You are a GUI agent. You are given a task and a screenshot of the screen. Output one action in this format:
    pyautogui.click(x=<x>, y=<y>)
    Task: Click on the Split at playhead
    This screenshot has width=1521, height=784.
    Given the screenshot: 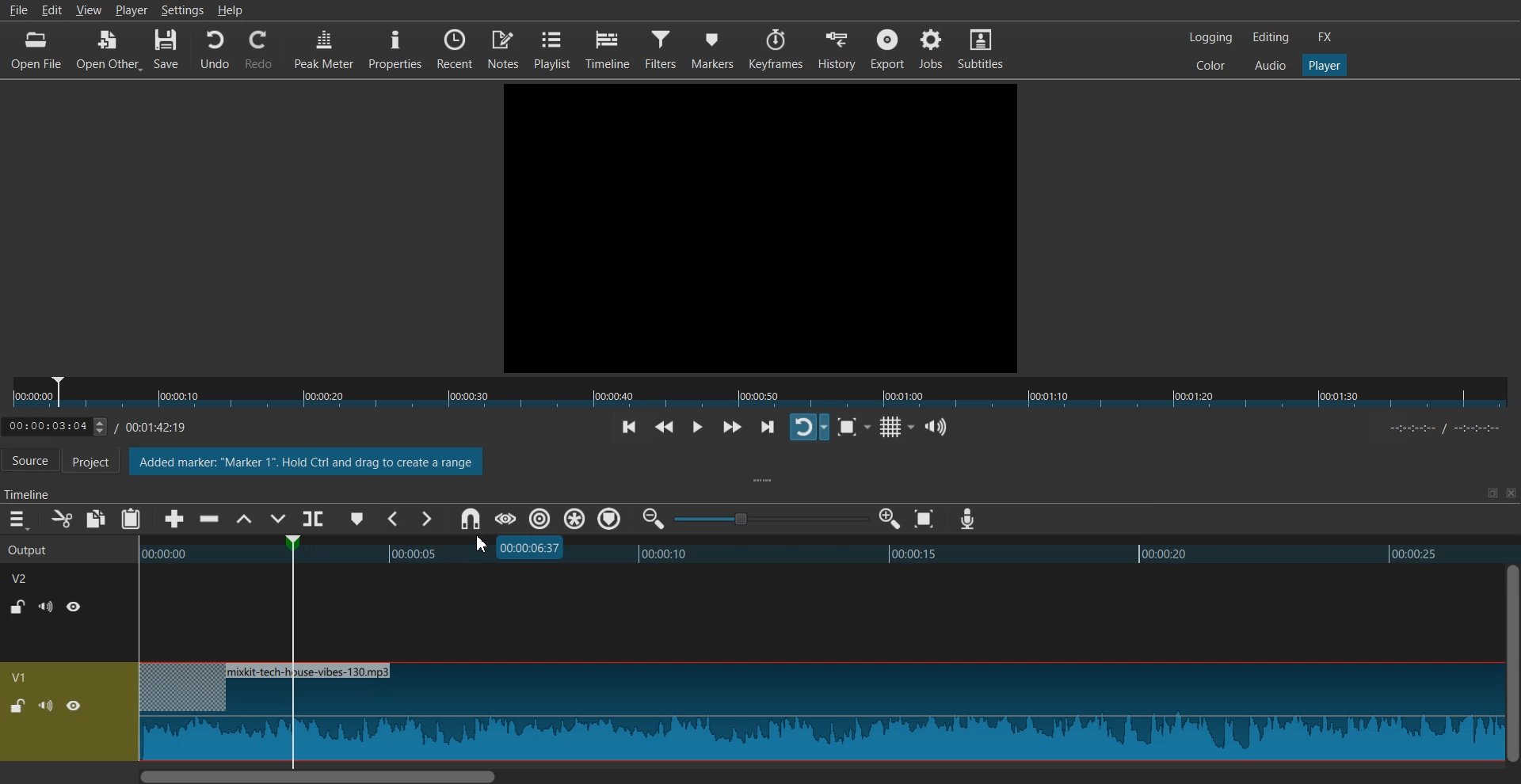 What is the action you would take?
    pyautogui.click(x=316, y=516)
    